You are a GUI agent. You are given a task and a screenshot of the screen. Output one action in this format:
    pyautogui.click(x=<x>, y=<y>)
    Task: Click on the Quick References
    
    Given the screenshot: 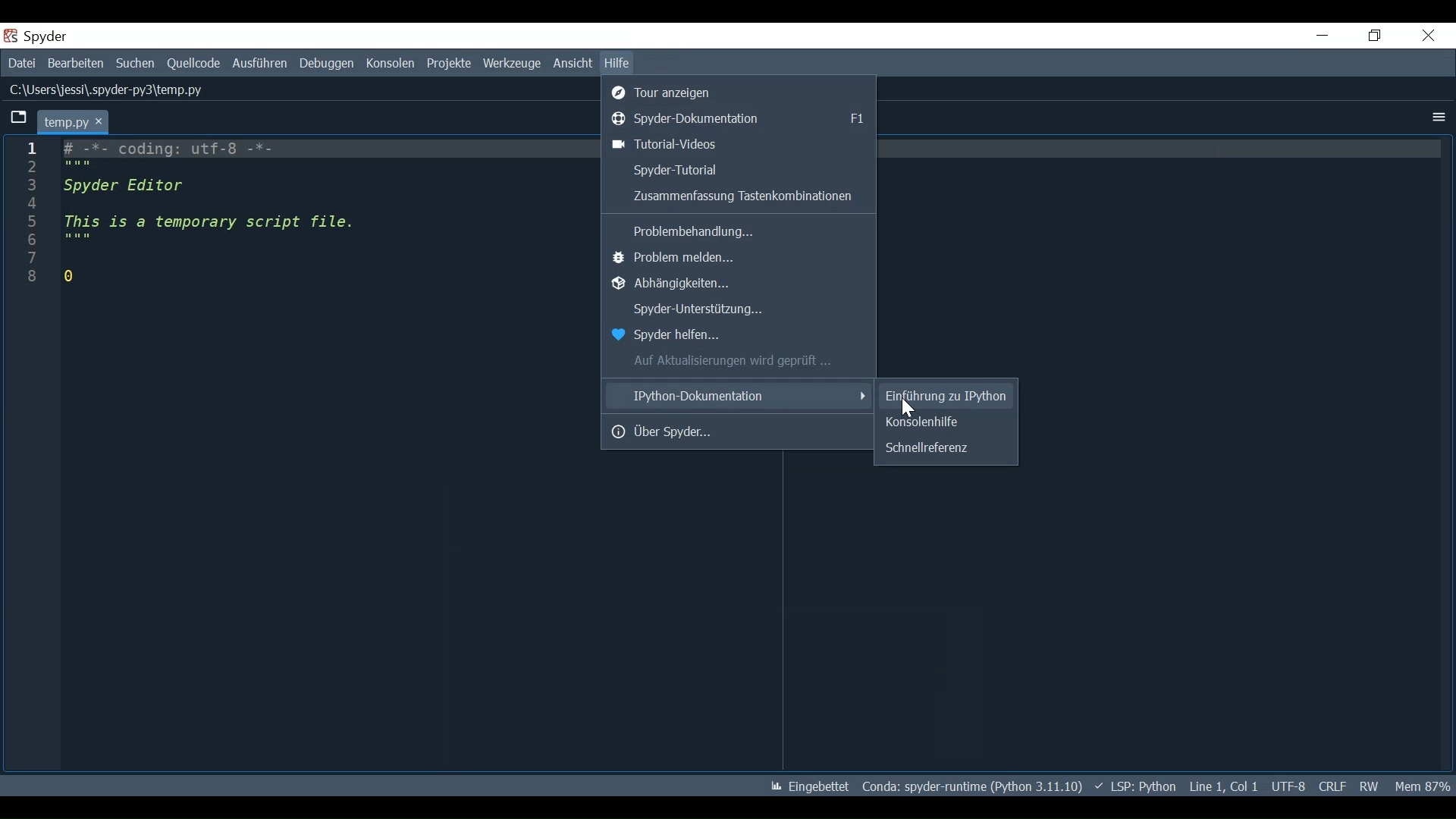 What is the action you would take?
    pyautogui.click(x=944, y=447)
    